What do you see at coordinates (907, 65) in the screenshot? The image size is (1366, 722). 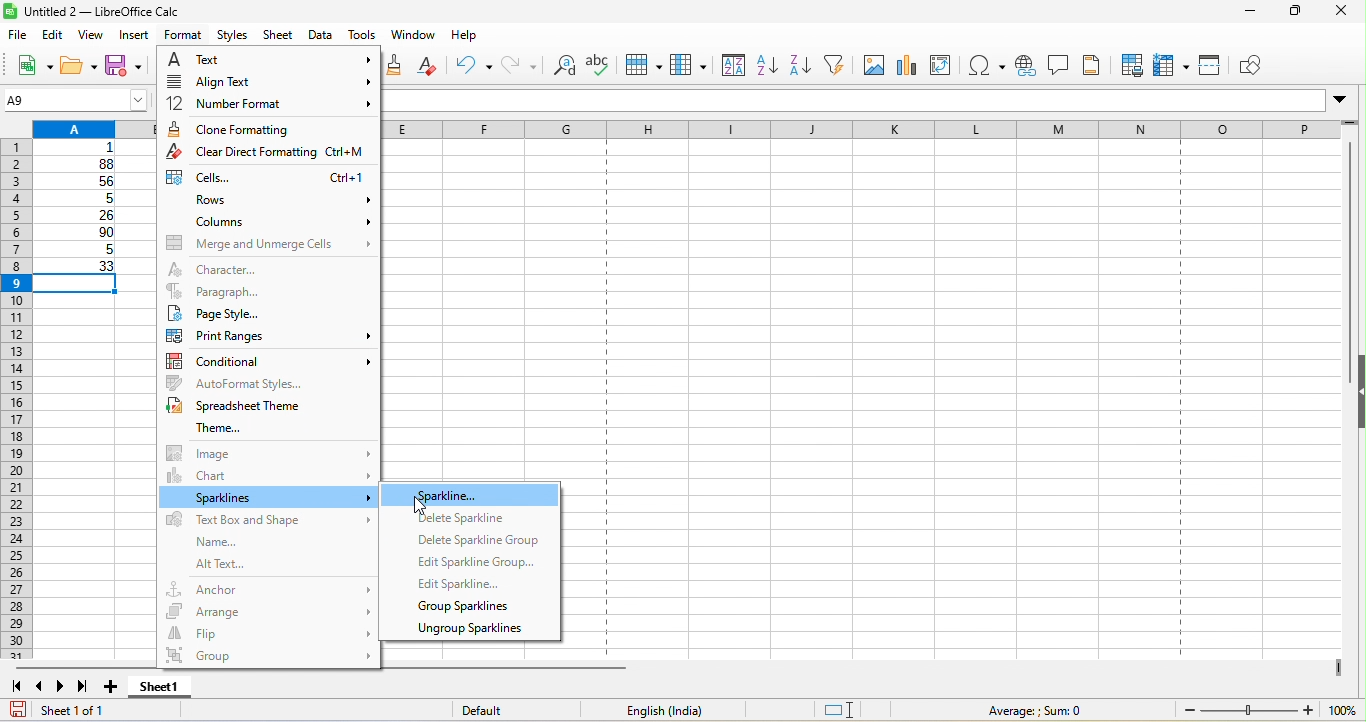 I see `chart` at bounding box center [907, 65].